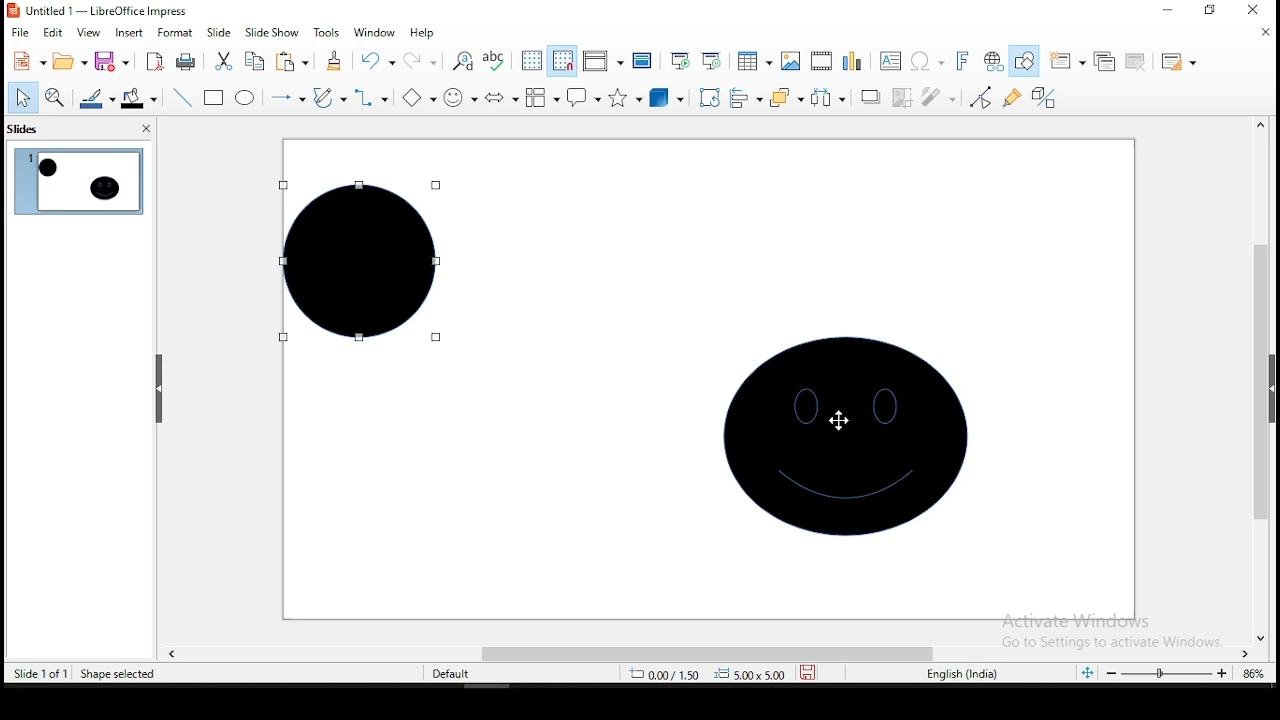 The height and width of the screenshot is (720, 1280). Describe the element at coordinates (641, 61) in the screenshot. I see `master slide` at that location.